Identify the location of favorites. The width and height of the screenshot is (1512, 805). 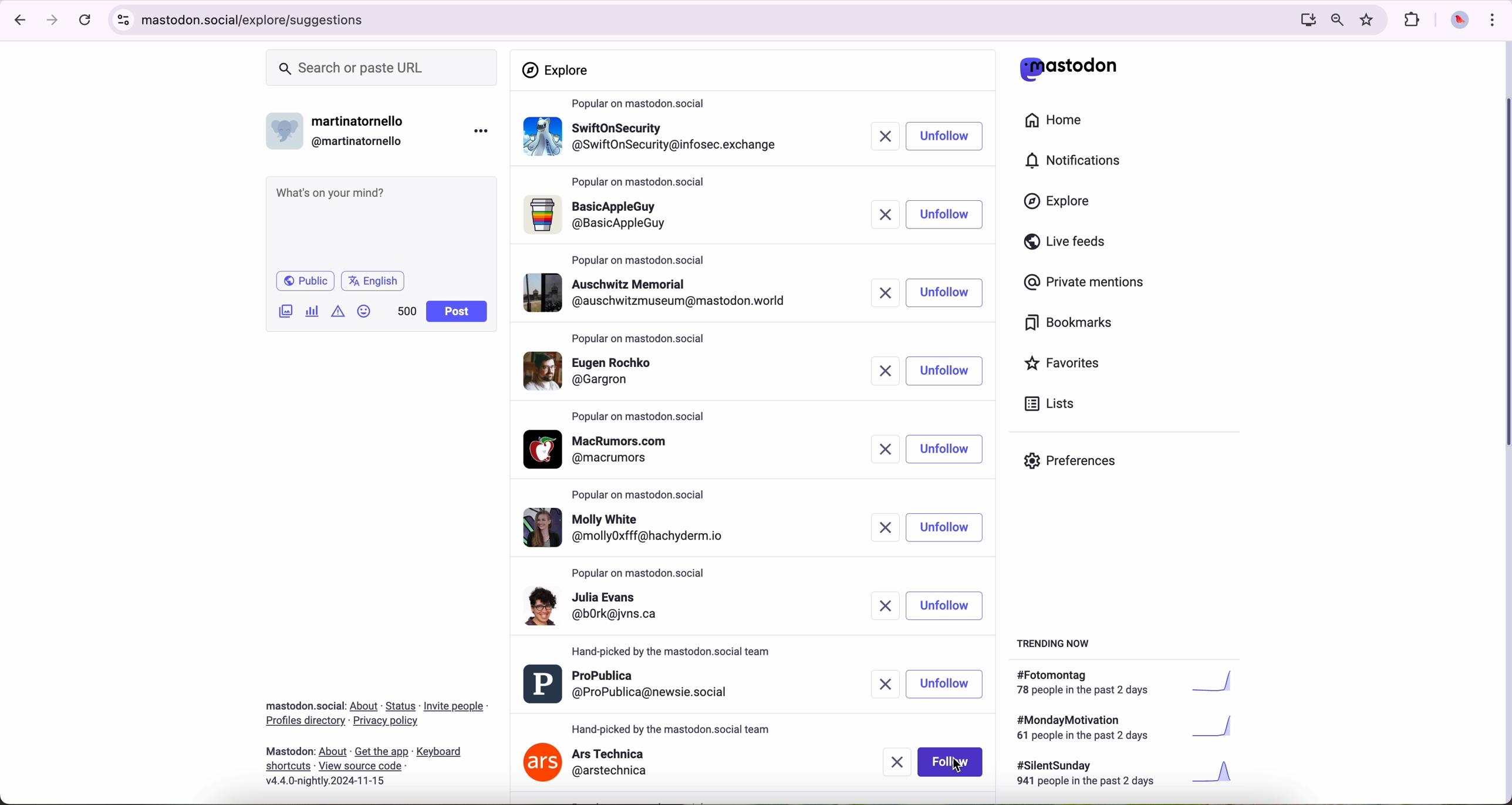
(1369, 20).